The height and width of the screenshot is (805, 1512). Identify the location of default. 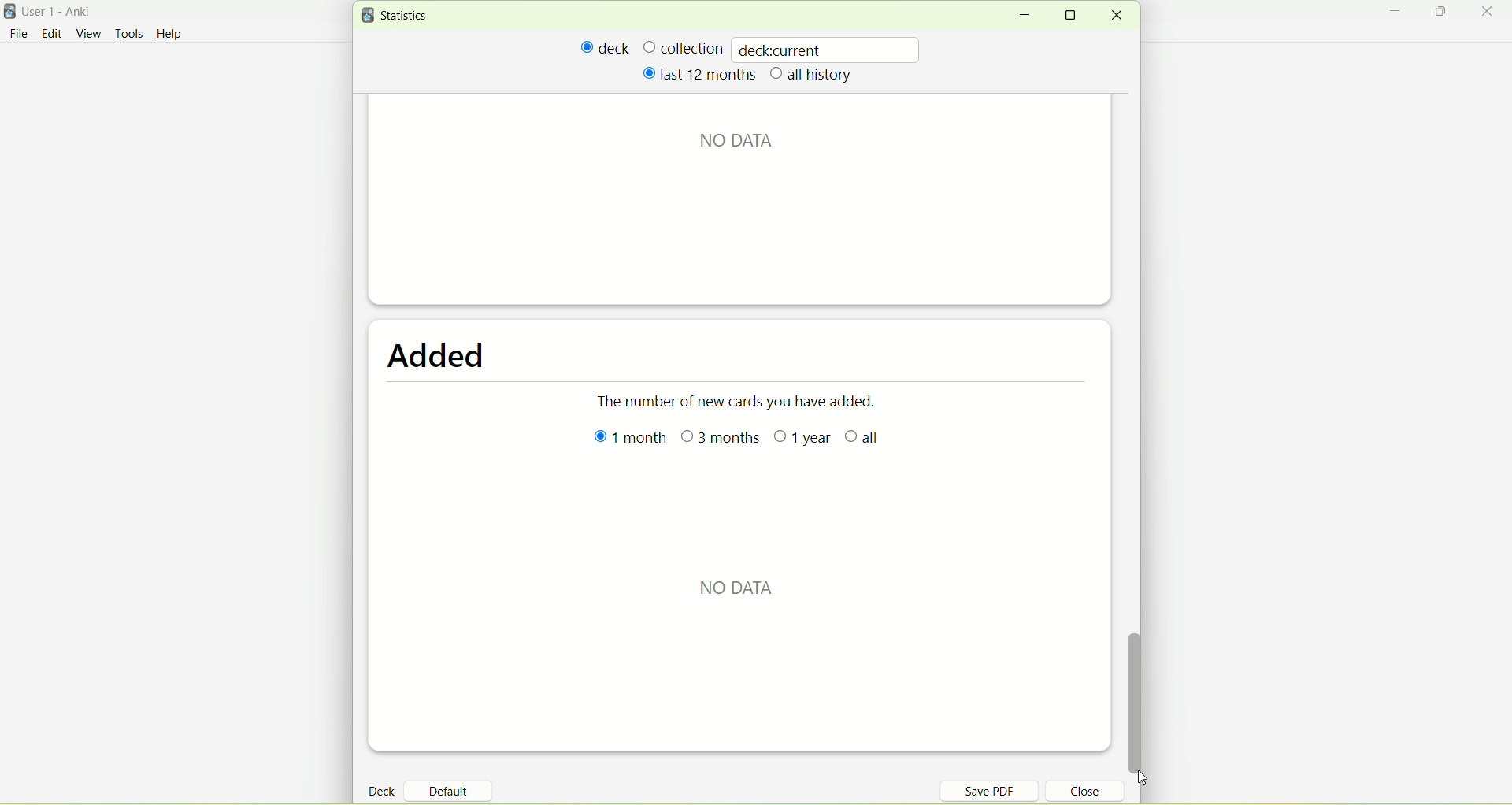
(454, 785).